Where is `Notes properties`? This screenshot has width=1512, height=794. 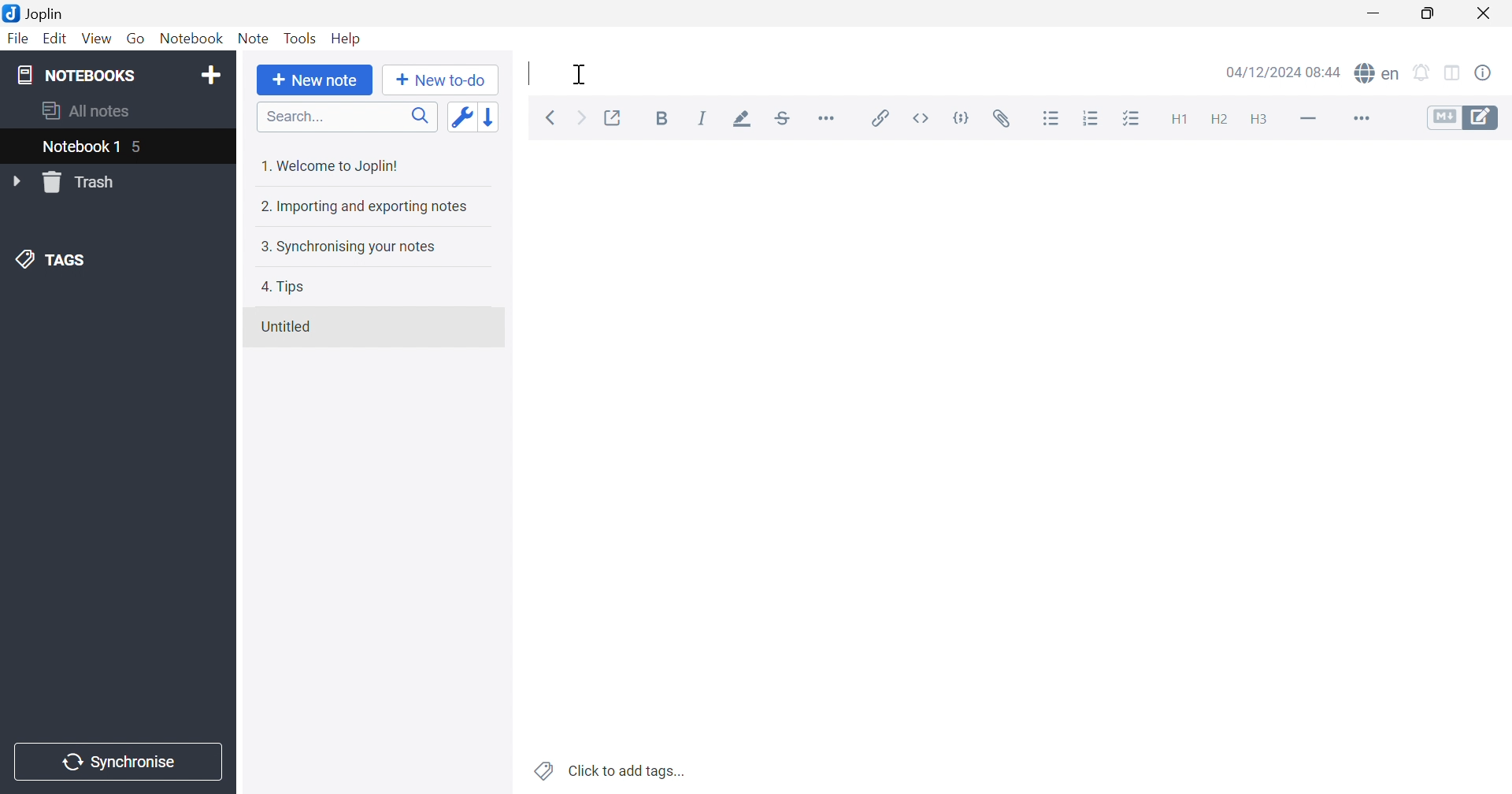
Notes properties is located at coordinates (1485, 72).